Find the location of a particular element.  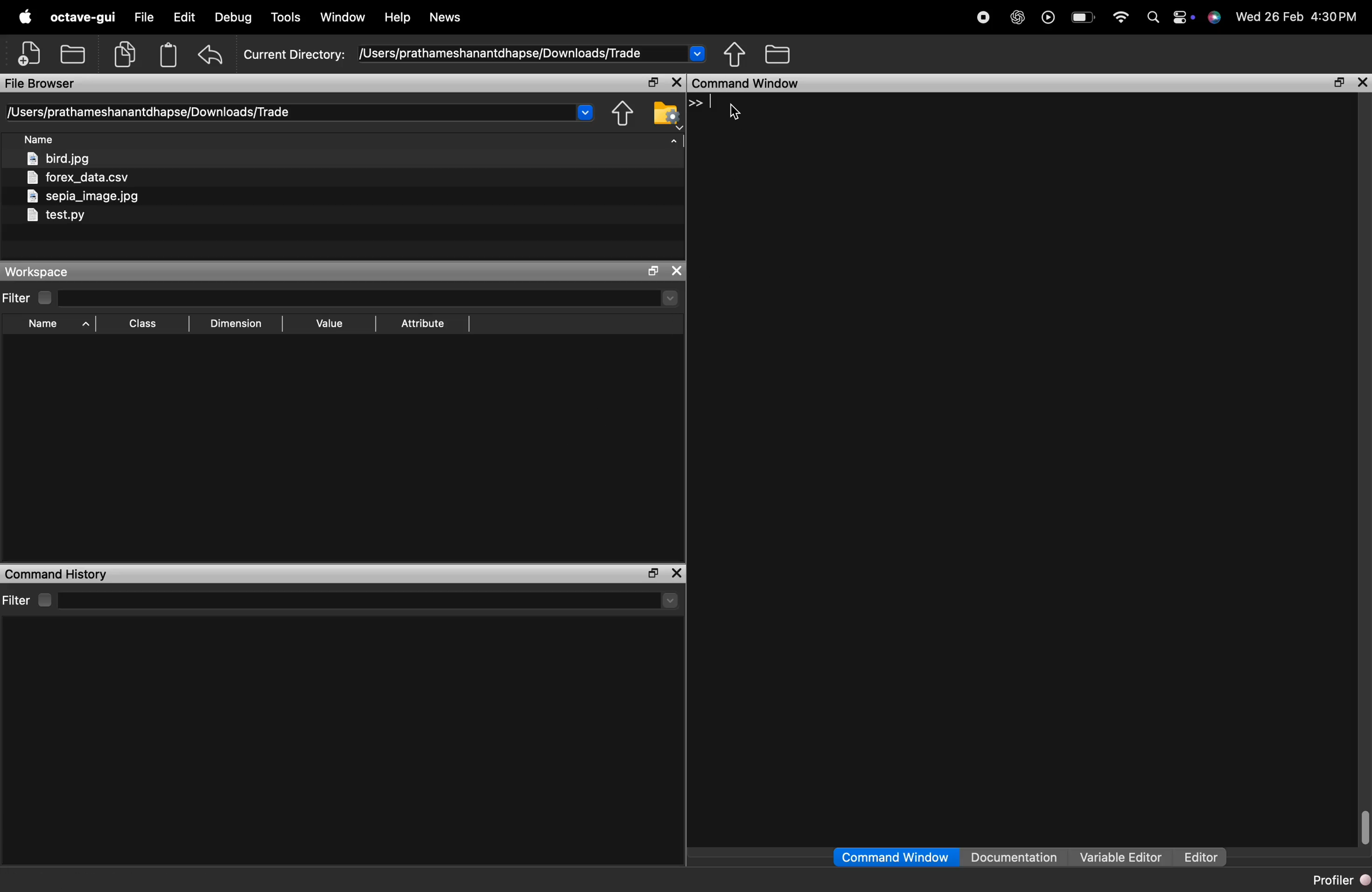

debug is located at coordinates (235, 18).